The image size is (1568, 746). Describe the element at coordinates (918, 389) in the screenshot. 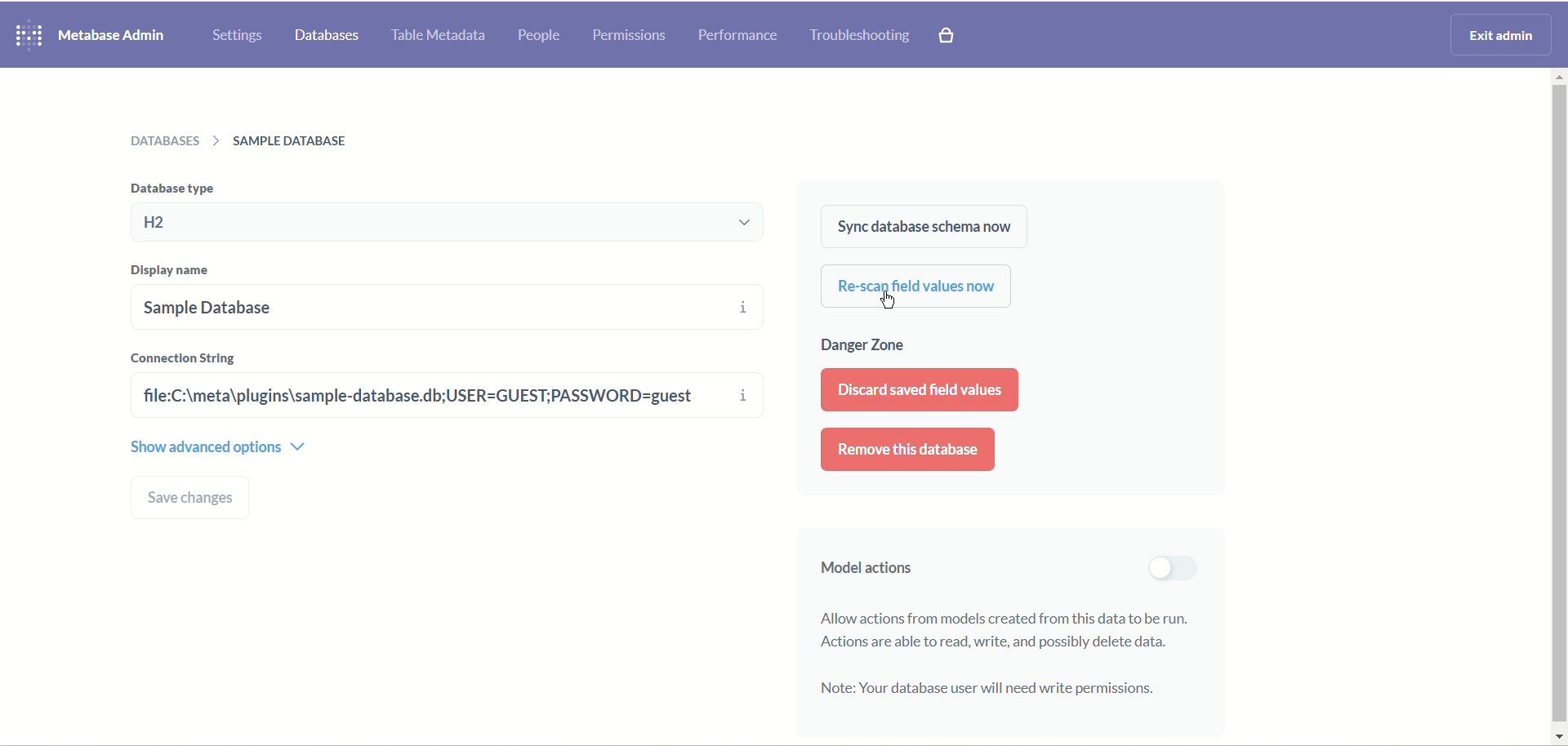

I see `discard saved field values` at that location.